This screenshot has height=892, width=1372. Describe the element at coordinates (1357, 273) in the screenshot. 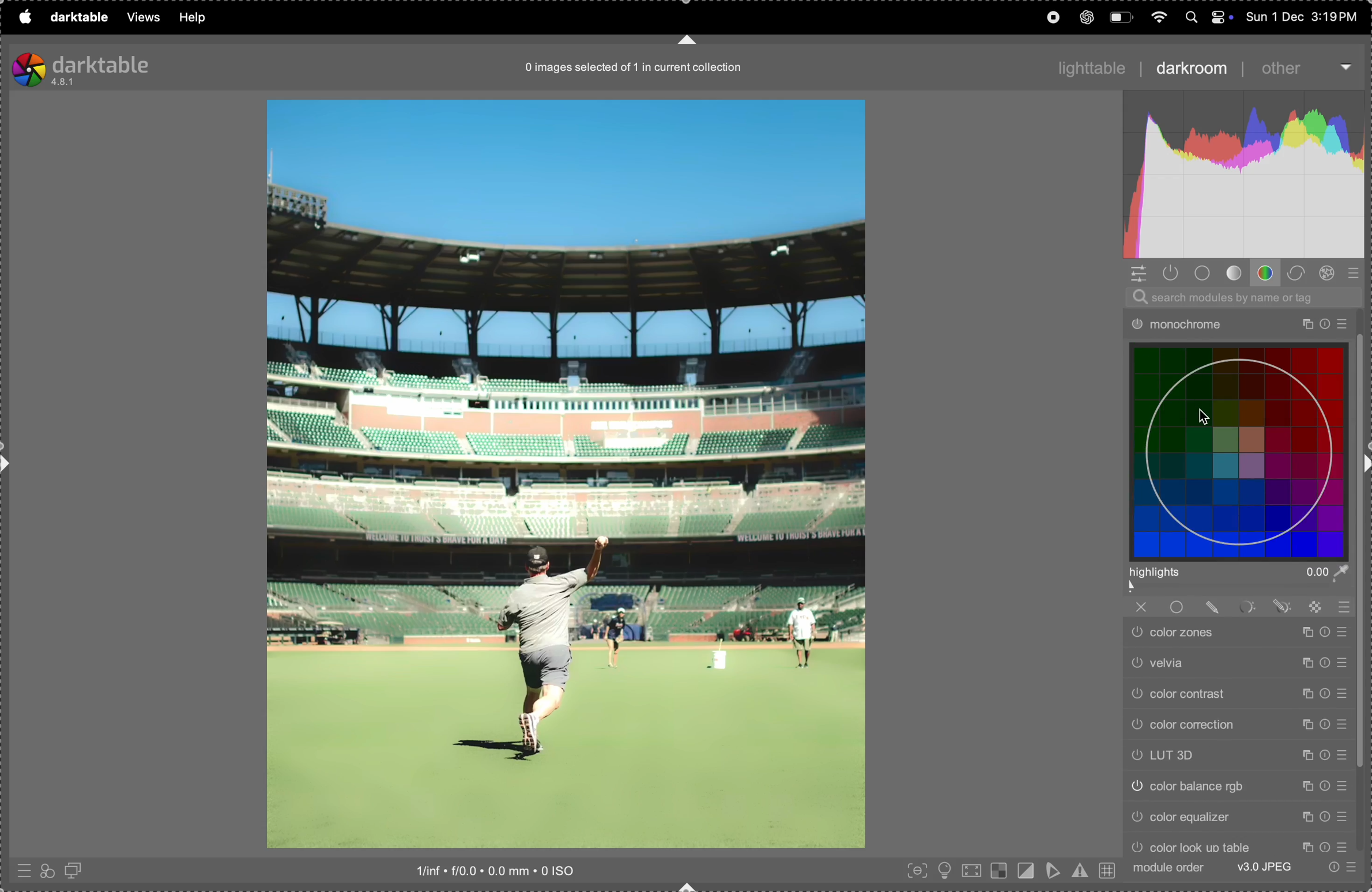

I see `presets` at that location.